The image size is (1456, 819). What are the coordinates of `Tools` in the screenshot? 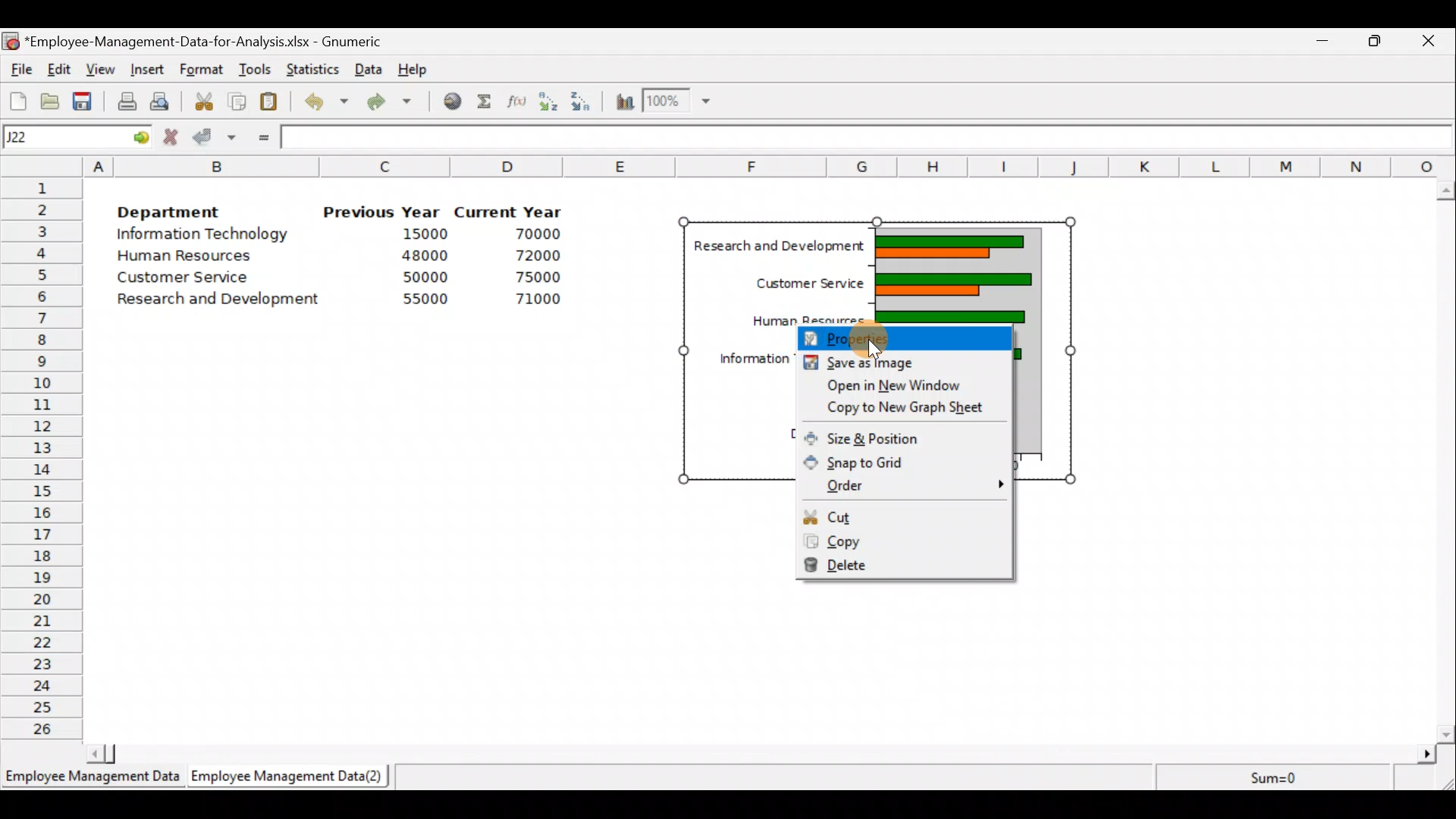 It's located at (255, 67).